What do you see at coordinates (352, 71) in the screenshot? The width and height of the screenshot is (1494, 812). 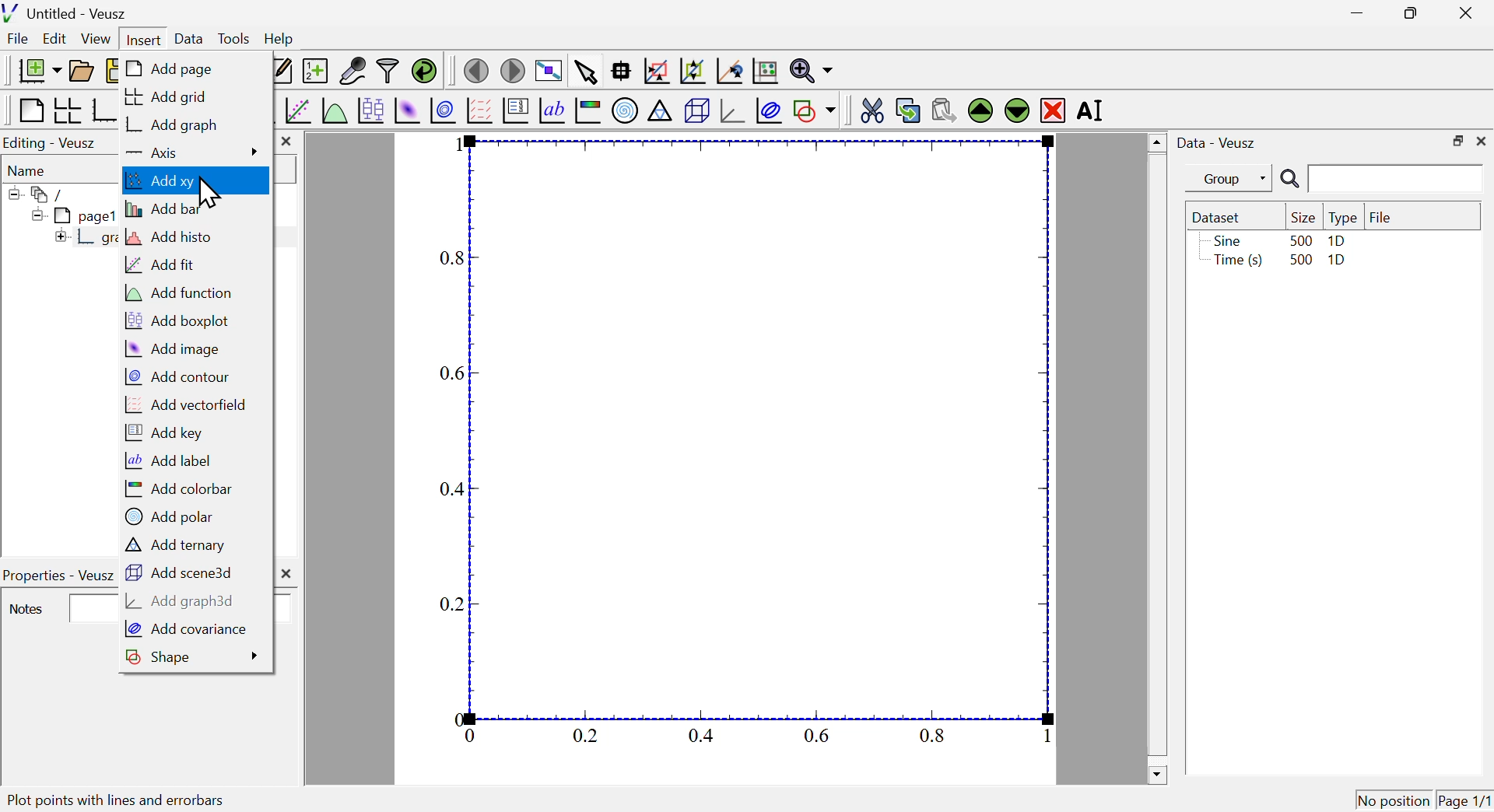 I see `capture remote data` at bounding box center [352, 71].